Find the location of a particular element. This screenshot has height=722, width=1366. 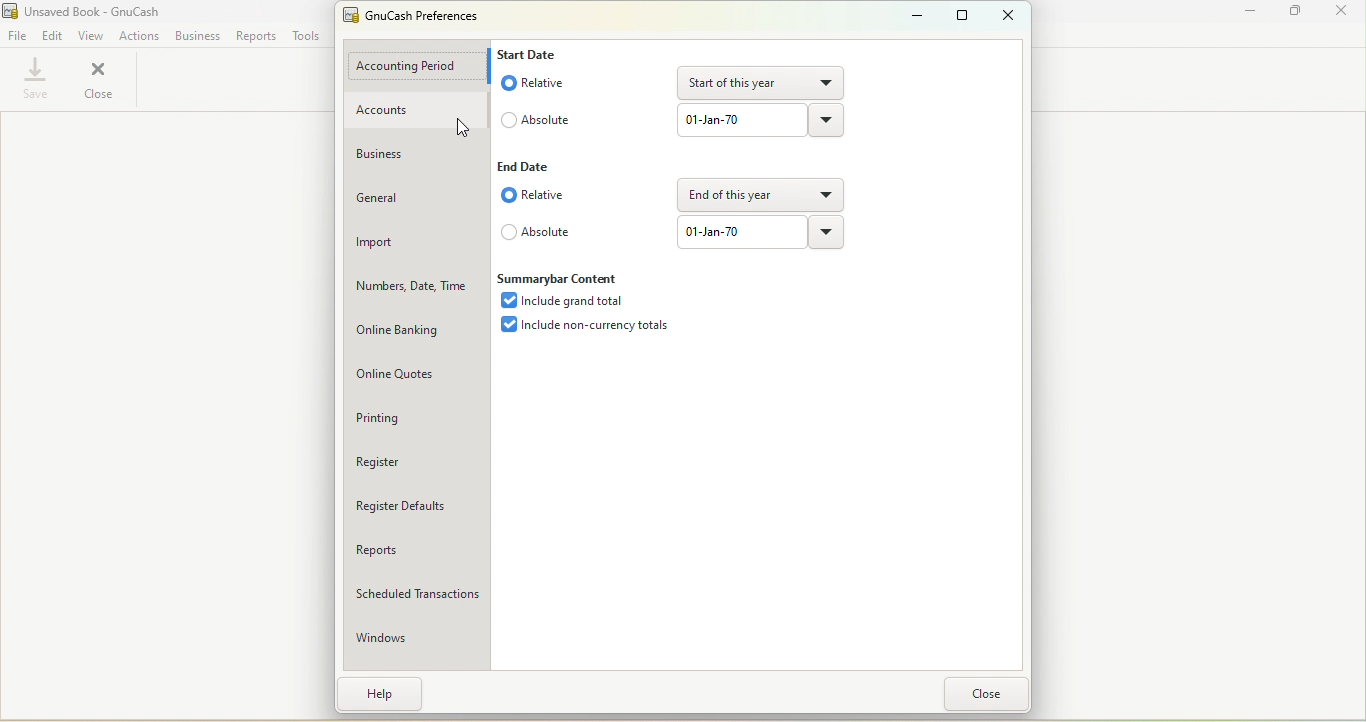

end of this year is located at coordinates (743, 195).